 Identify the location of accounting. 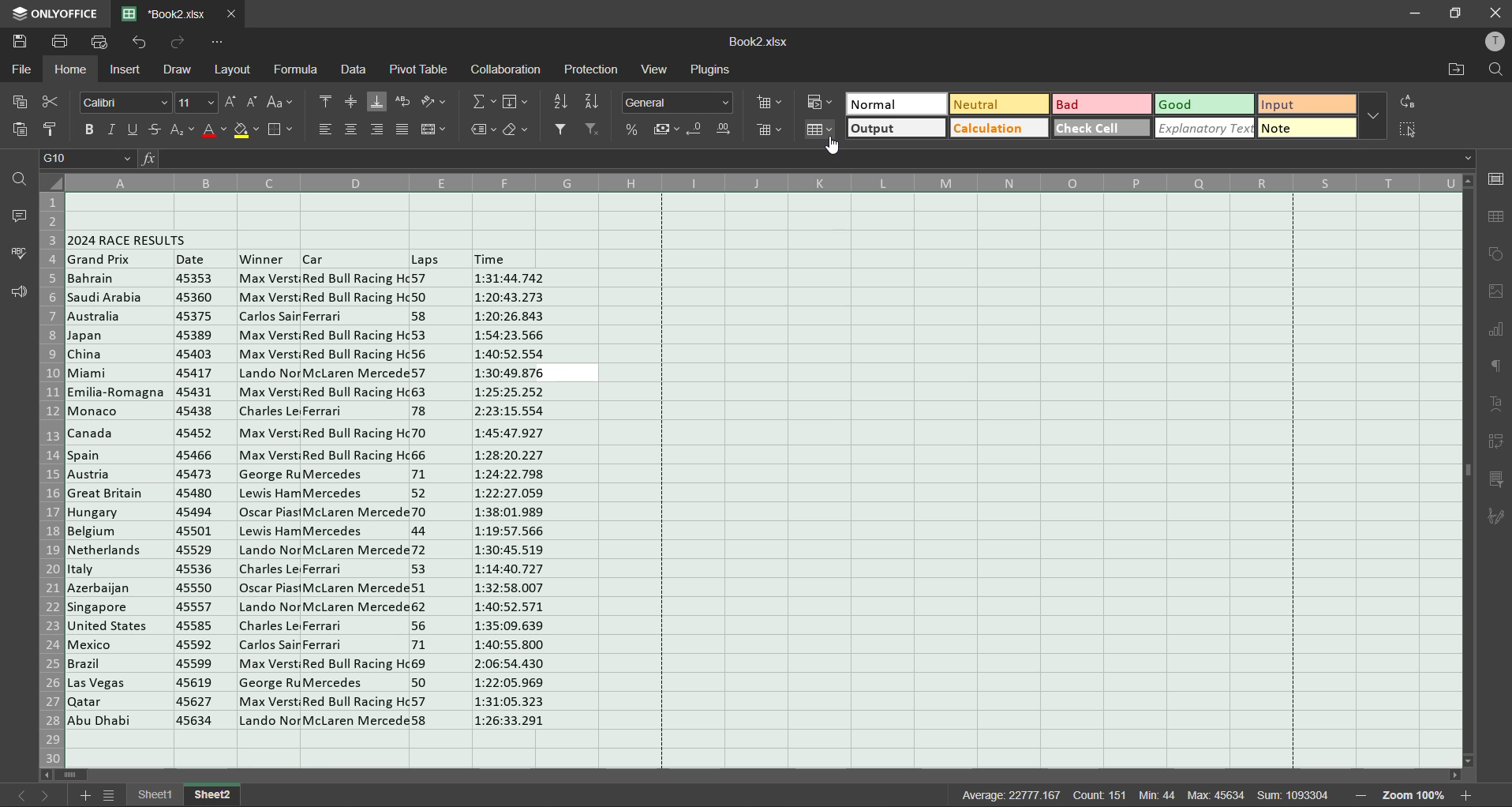
(668, 128).